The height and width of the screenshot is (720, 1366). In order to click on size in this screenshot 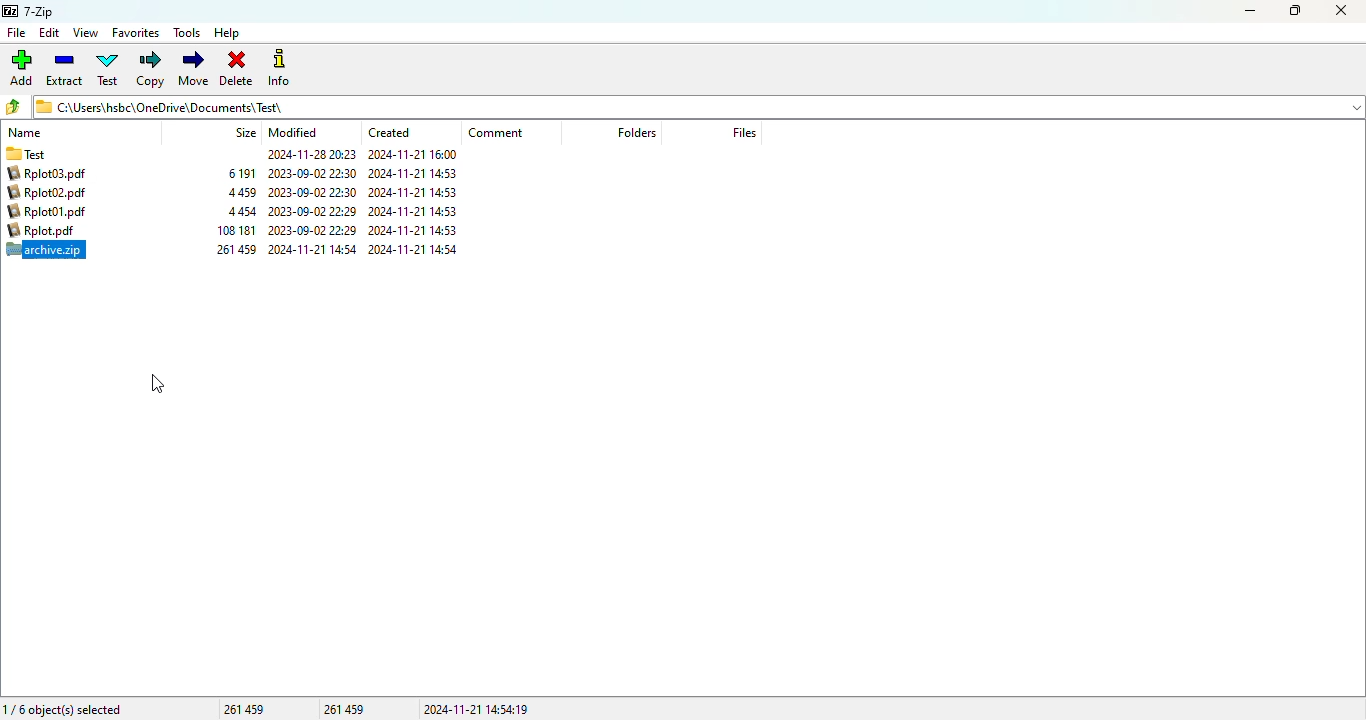, I will do `click(245, 132)`.